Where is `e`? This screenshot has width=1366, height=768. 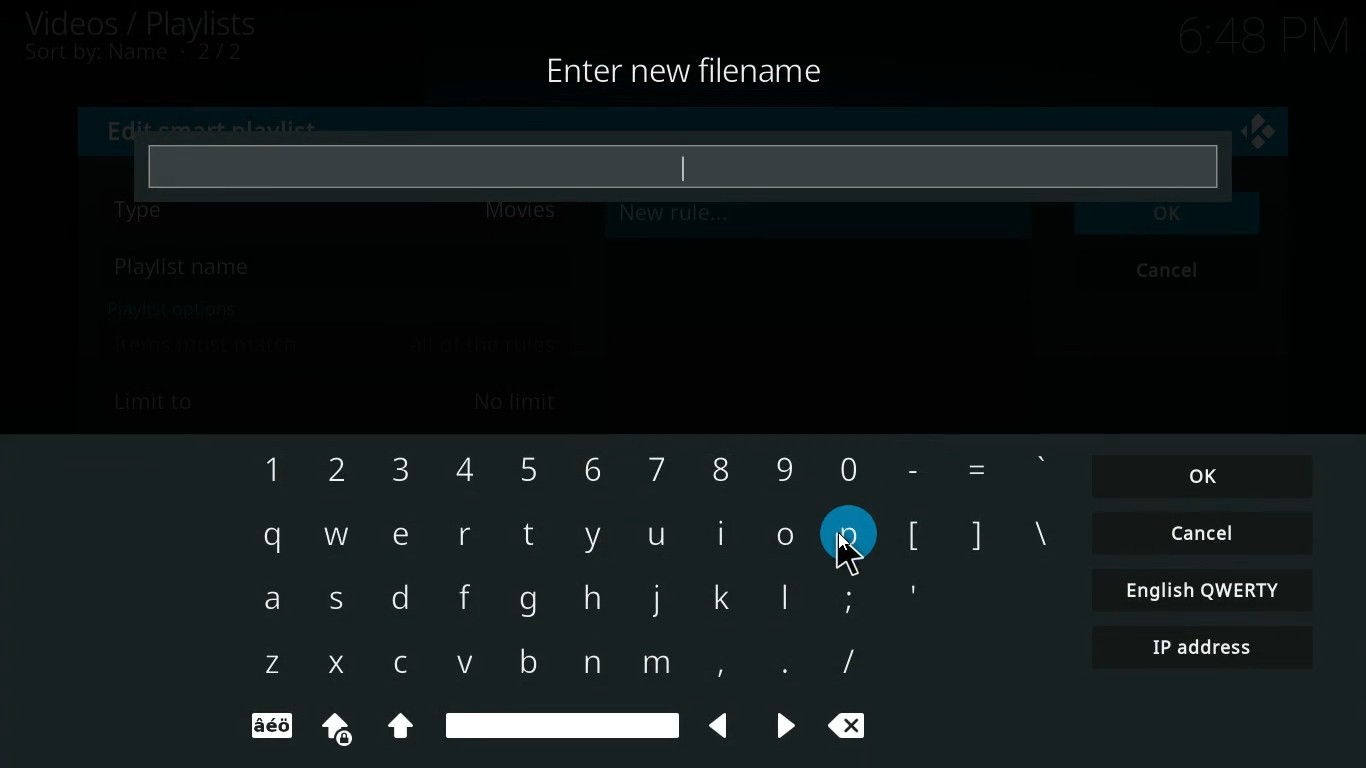
e is located at coordinates (399, 536).